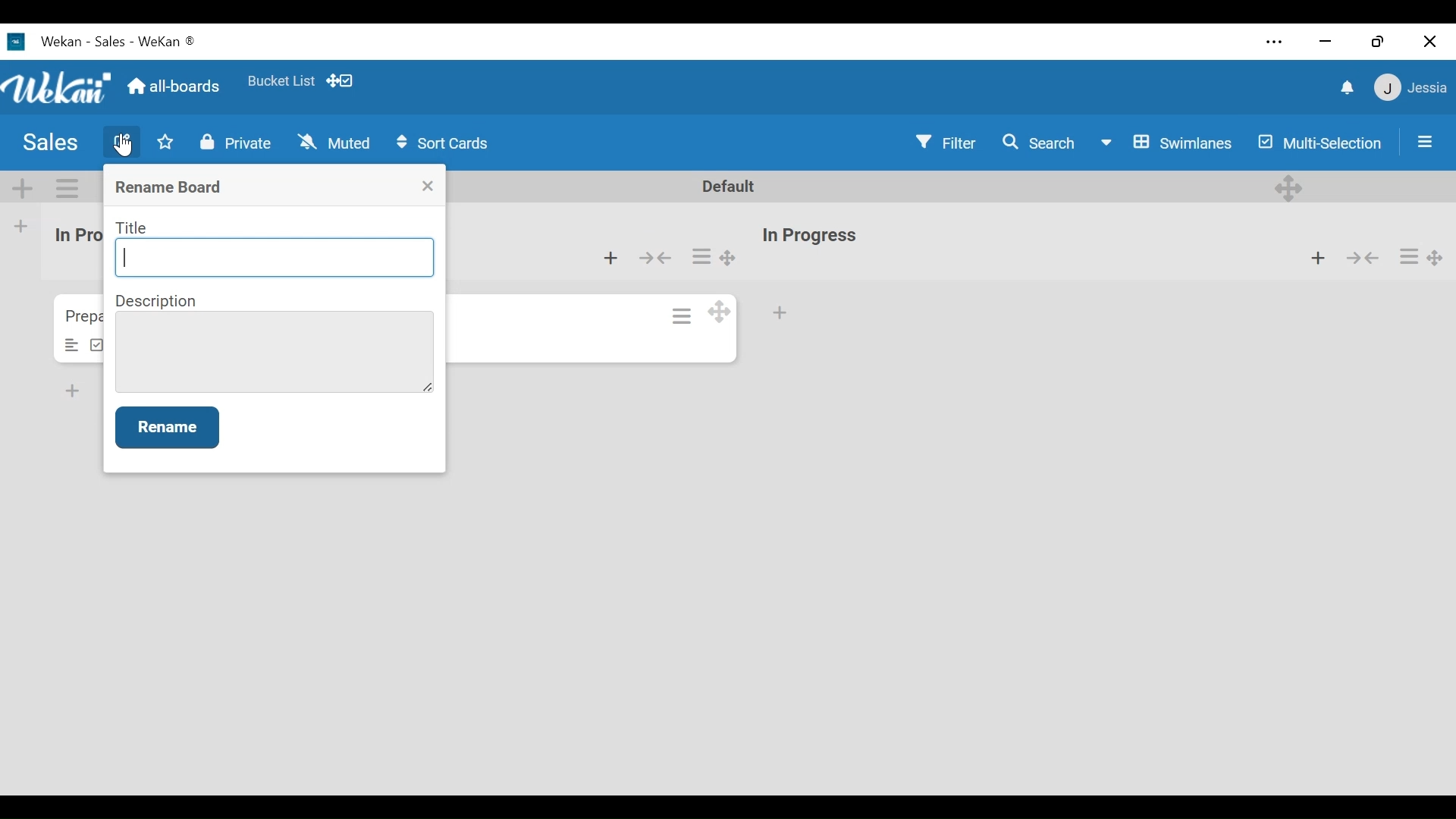 Image resolution: width=1456 pixels, height=819 pixels. What do you see at coordinates (701, 255) in the screenshot?
I see `List actions` at bounding box center [701, 255].